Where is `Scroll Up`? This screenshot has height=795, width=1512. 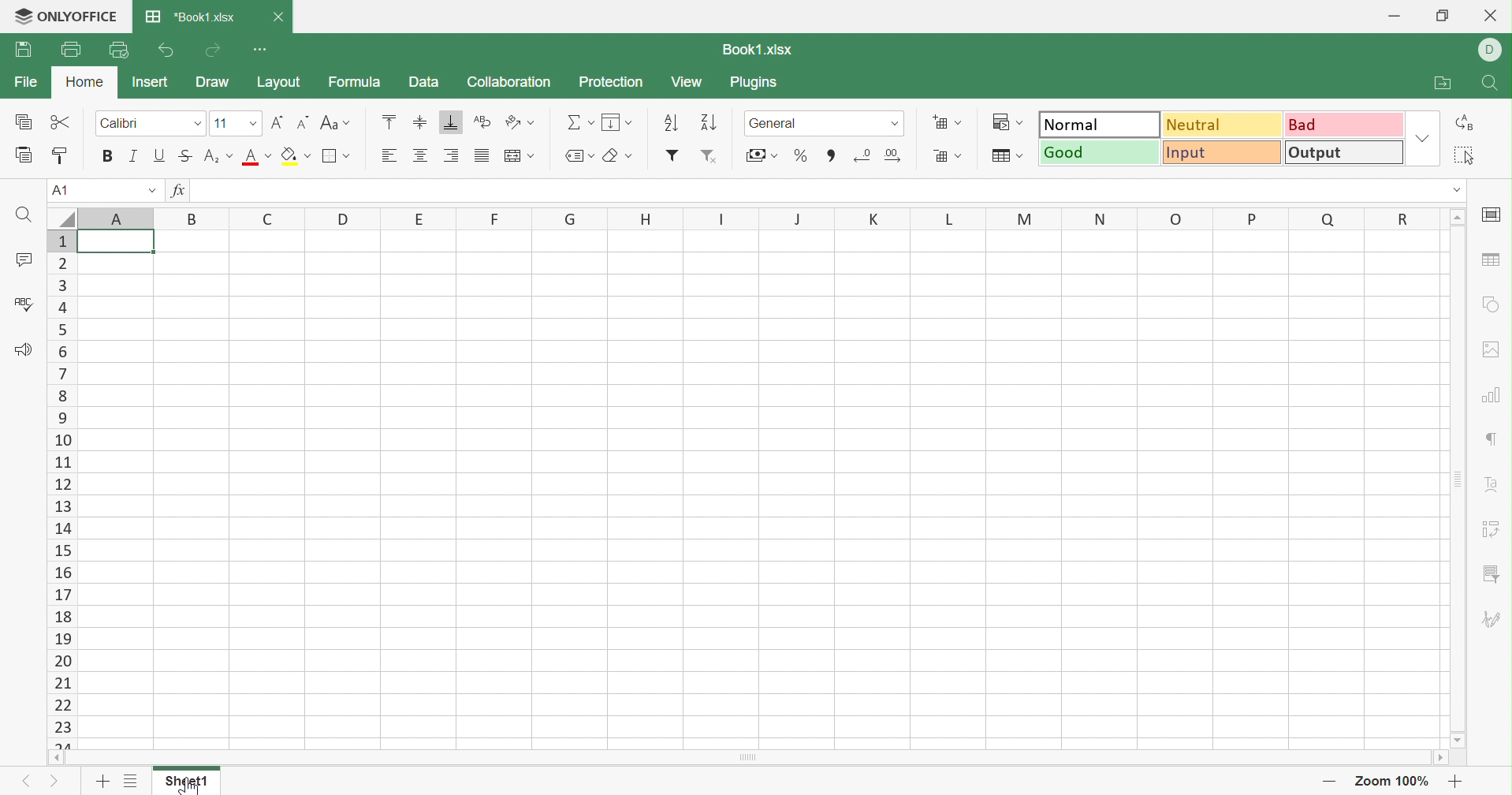
Scroll Up is located at coordinates (1458, 218).